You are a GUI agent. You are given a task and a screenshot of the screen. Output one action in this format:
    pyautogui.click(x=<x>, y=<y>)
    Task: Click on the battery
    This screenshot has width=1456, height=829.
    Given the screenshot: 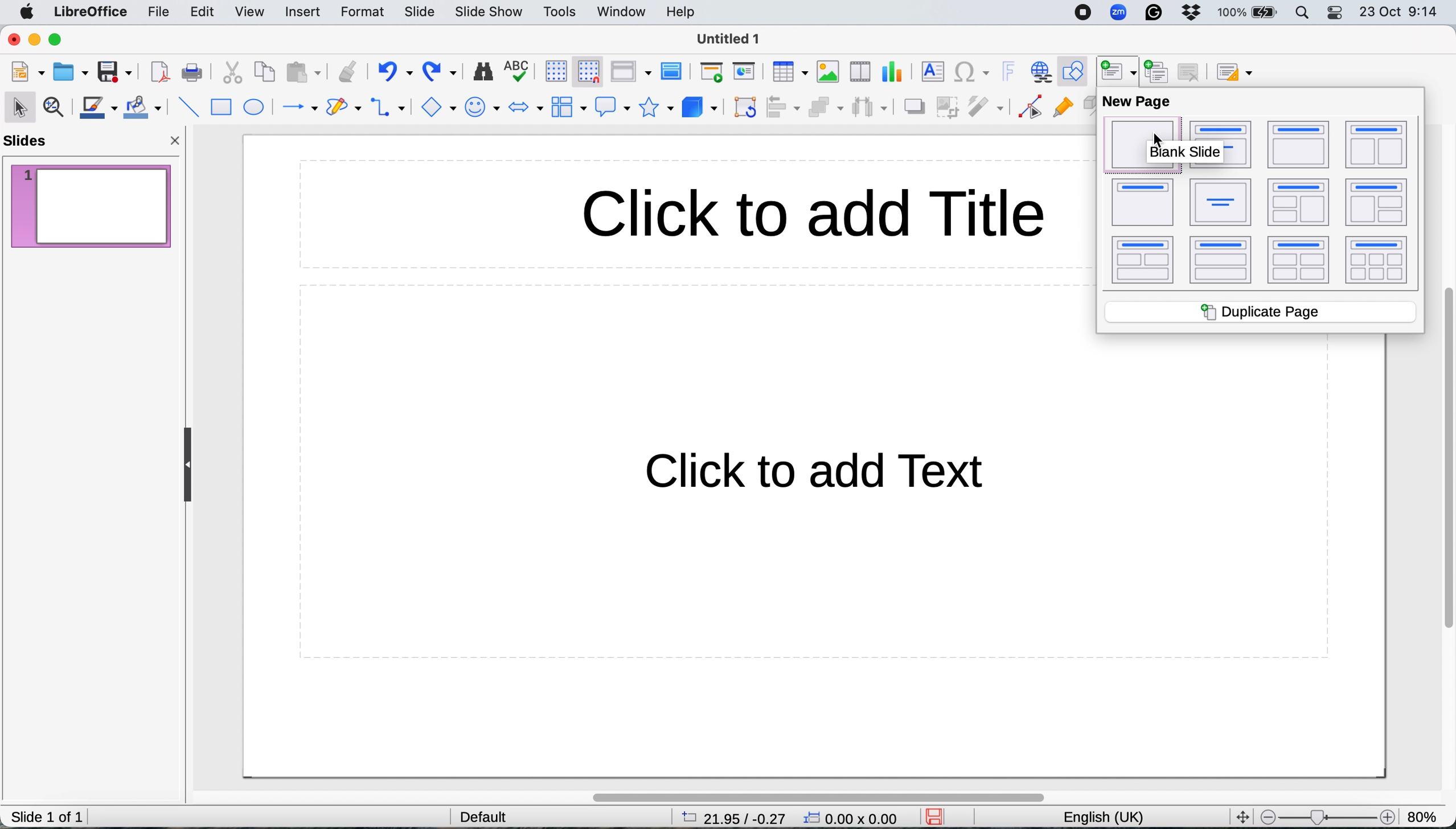 What is the action you would take?
    pyautogui.click(x=1249, y=14)
    